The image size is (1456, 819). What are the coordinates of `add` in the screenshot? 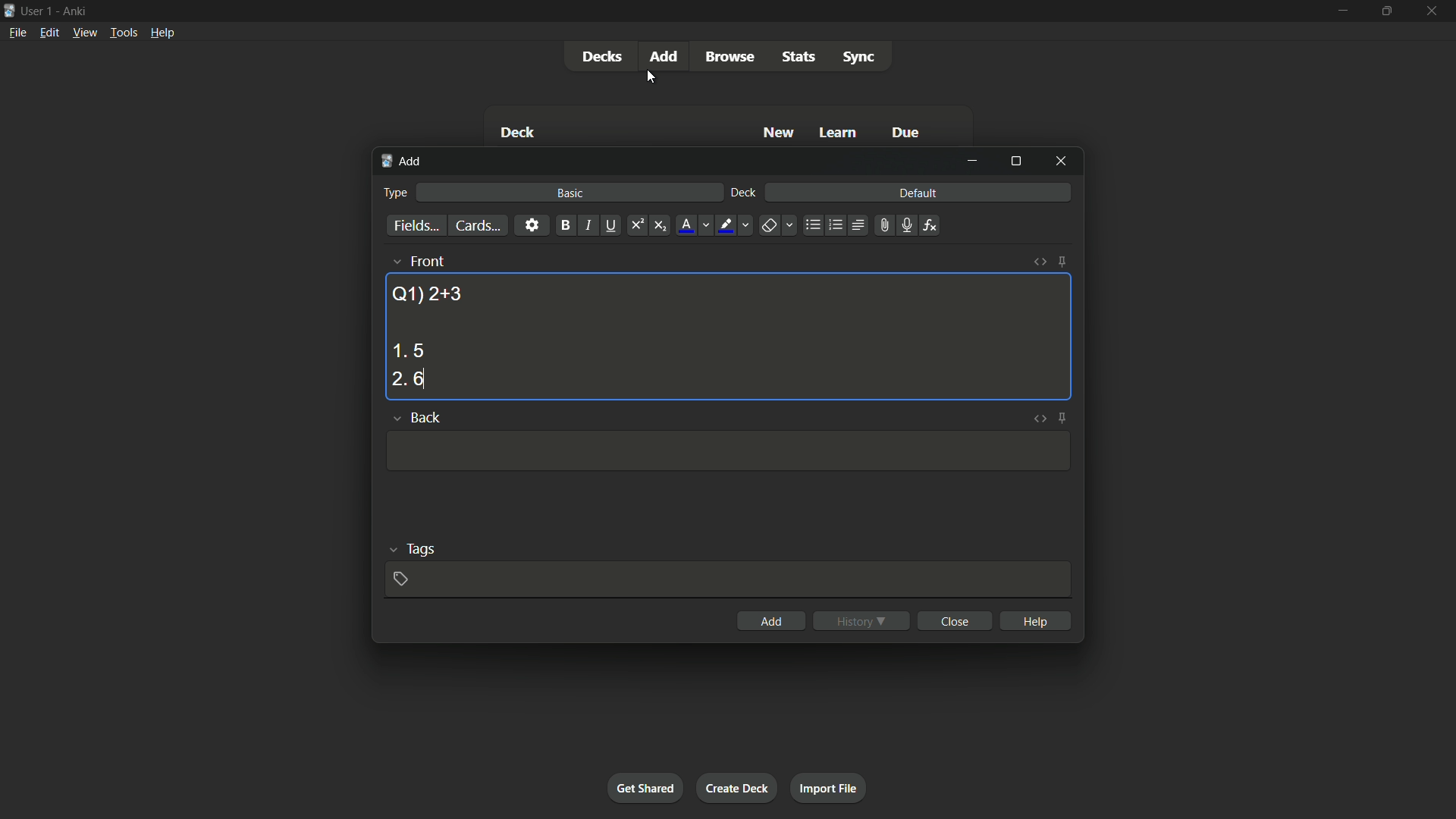 It's located at (667, 55).